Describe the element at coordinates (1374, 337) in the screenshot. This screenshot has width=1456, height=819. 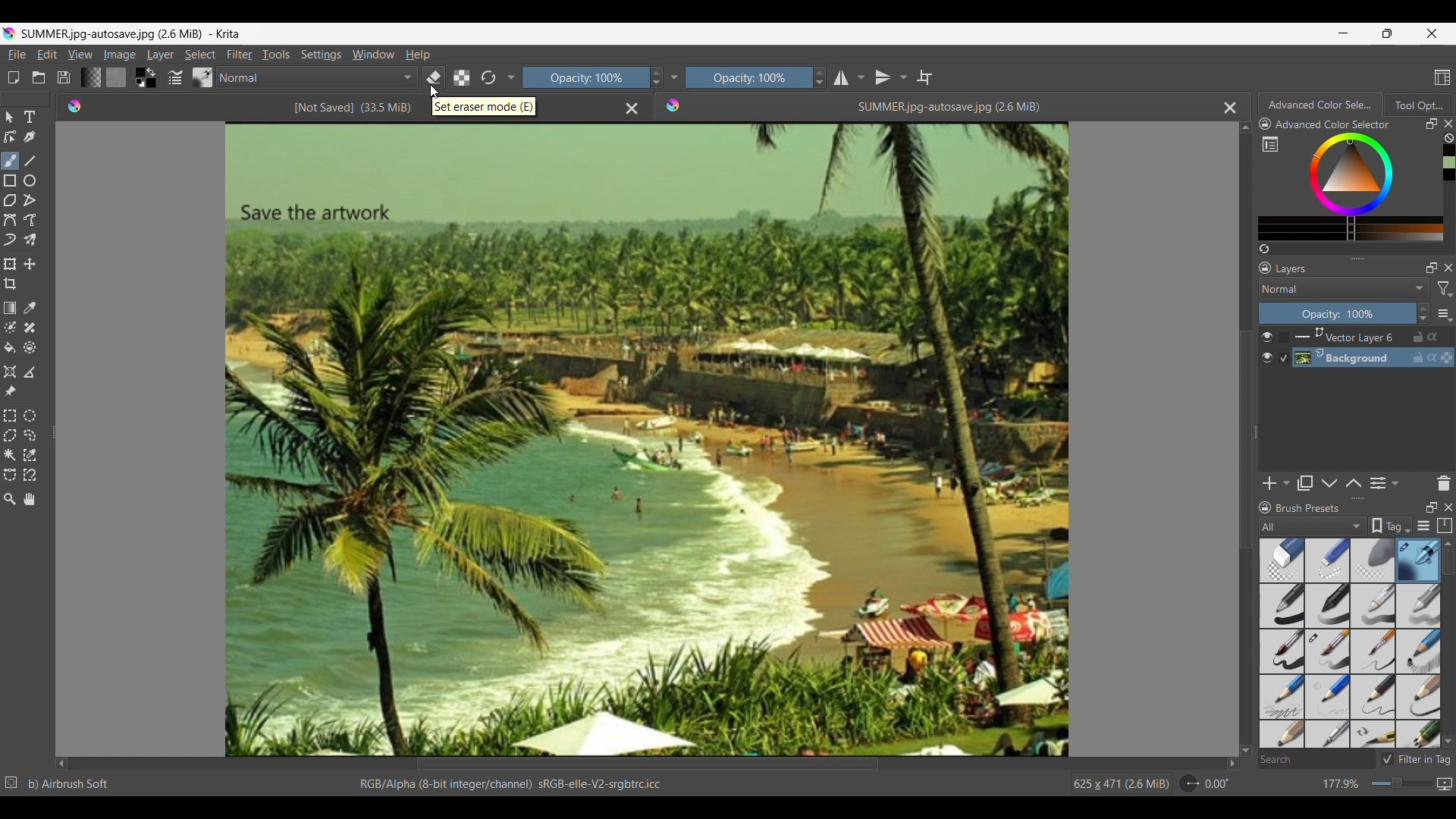
I see `Vector layer 6` at that location.